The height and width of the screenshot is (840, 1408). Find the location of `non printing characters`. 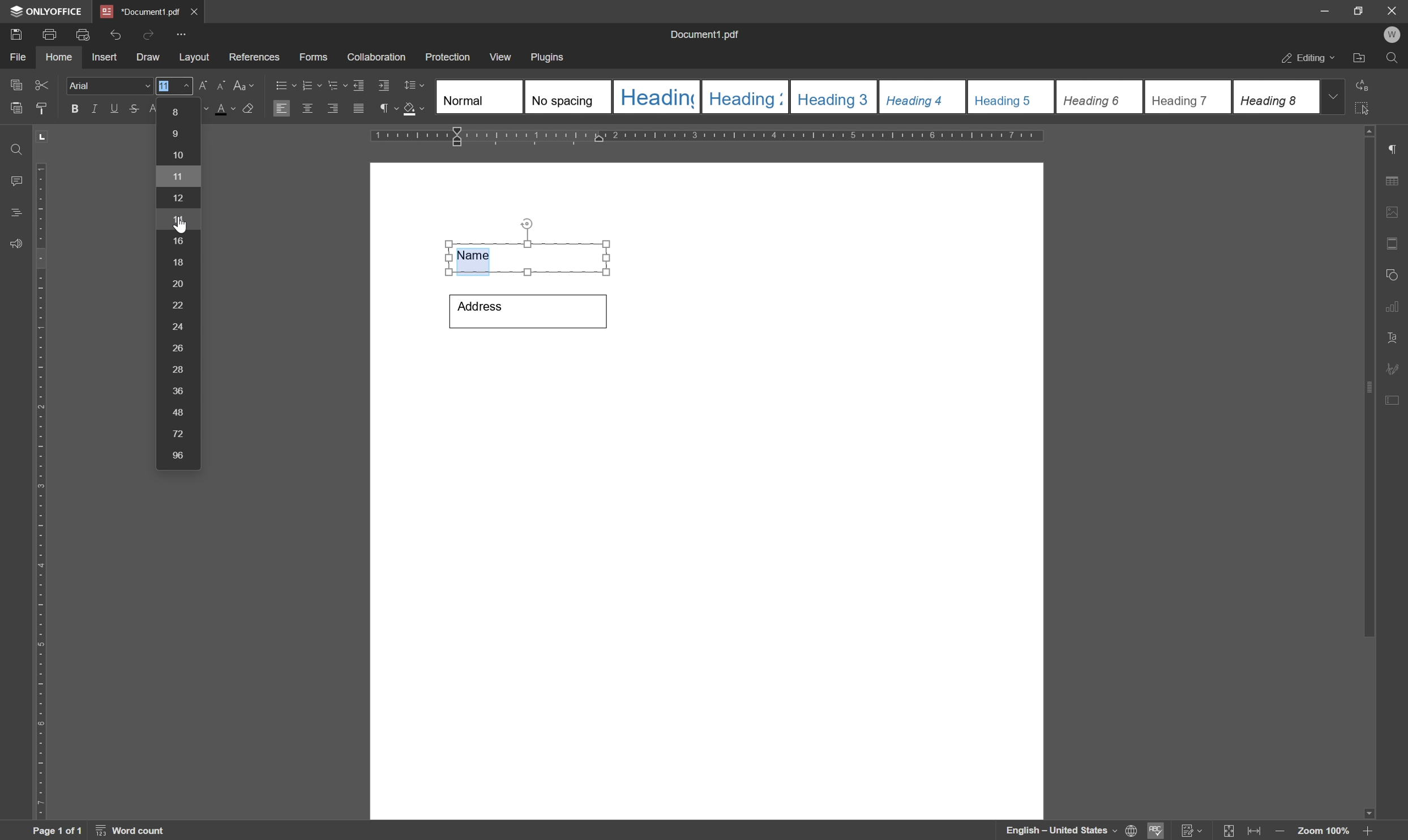

non printing characters is located at coordinates (387, 110).